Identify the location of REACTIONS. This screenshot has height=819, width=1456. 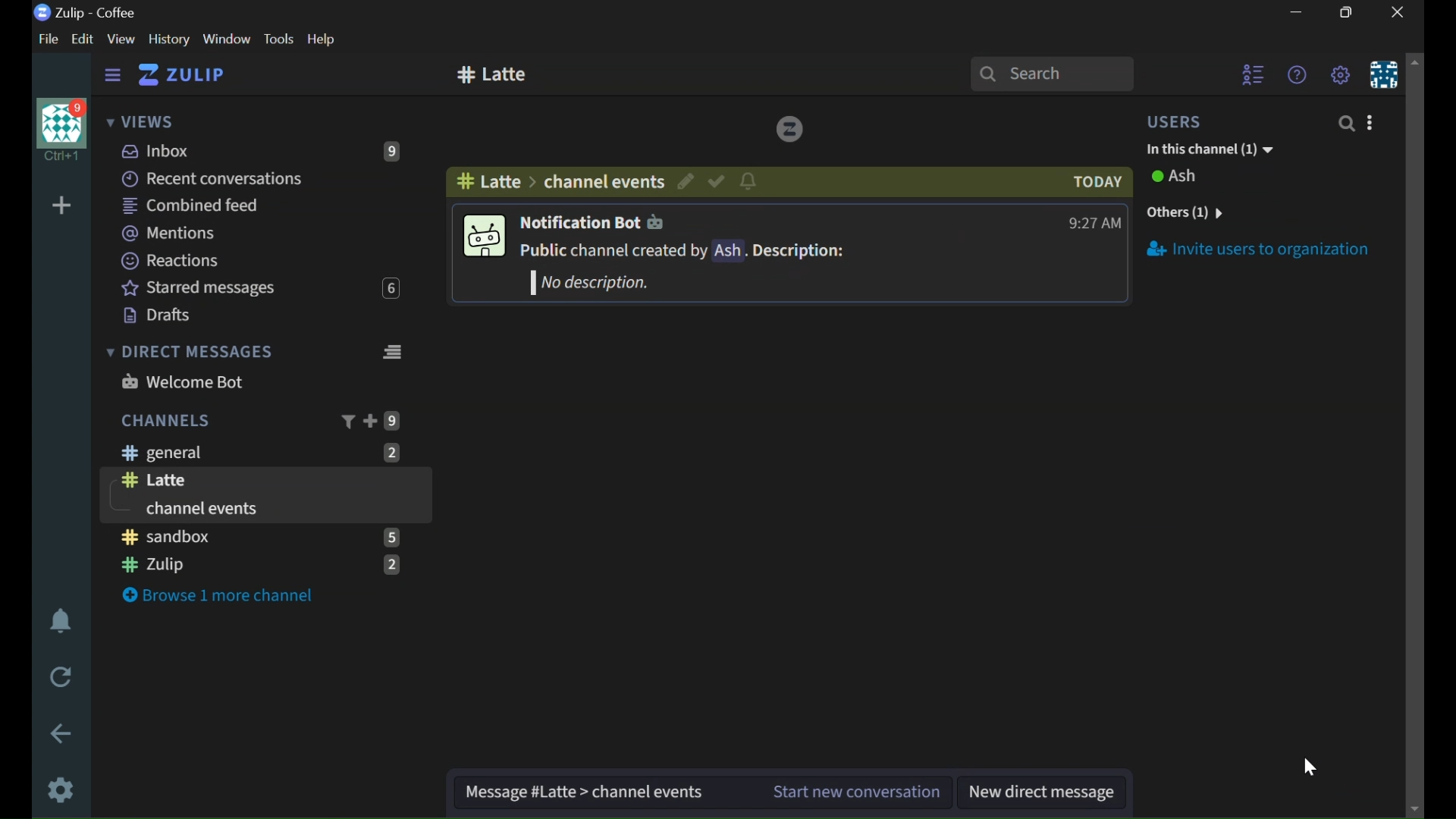
(244, 260).